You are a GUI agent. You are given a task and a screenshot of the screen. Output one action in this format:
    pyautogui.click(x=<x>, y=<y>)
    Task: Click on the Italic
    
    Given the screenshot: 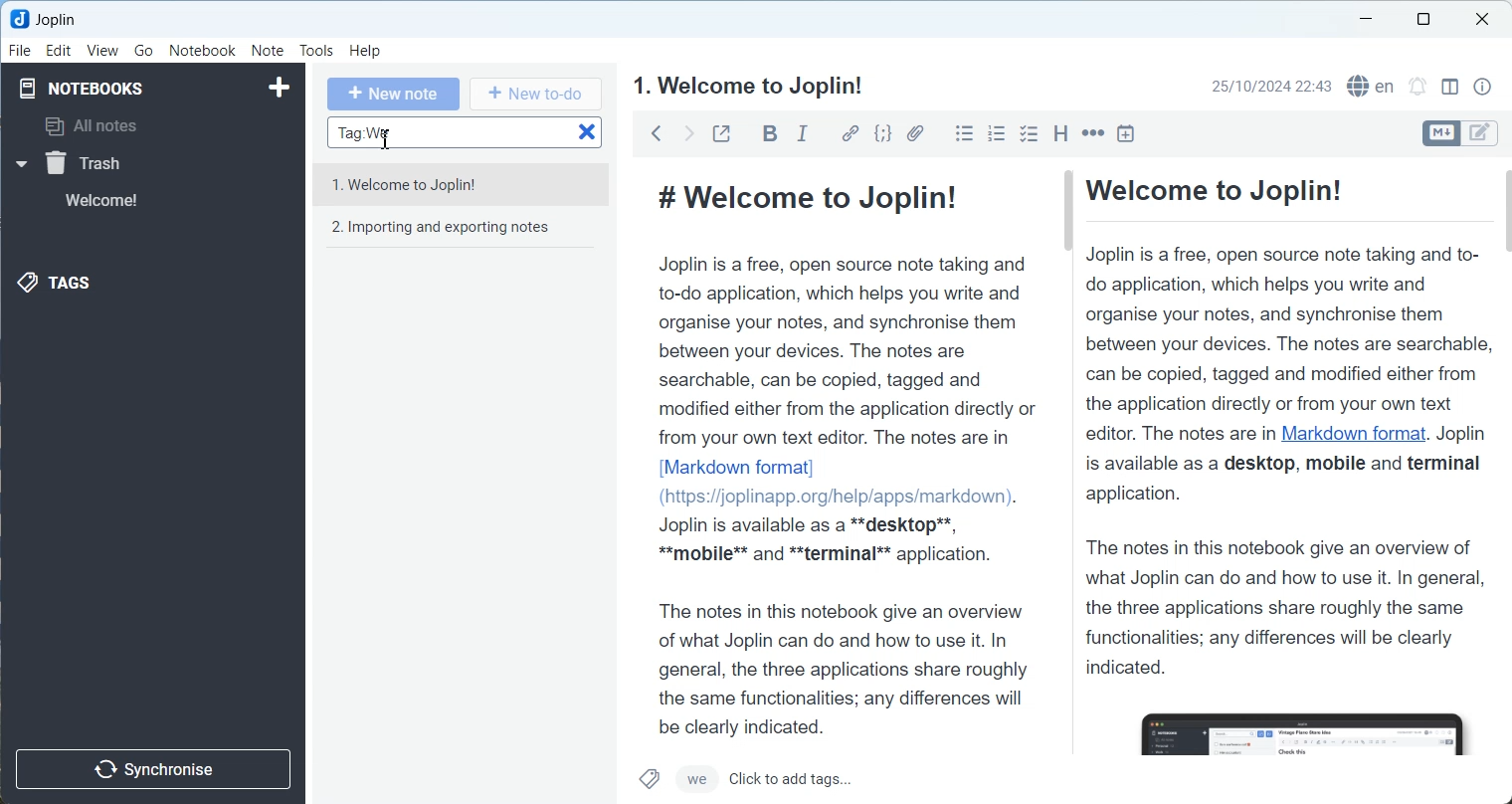 What is the action you would take?
    pyautogui.click(x=805, y=133)
    